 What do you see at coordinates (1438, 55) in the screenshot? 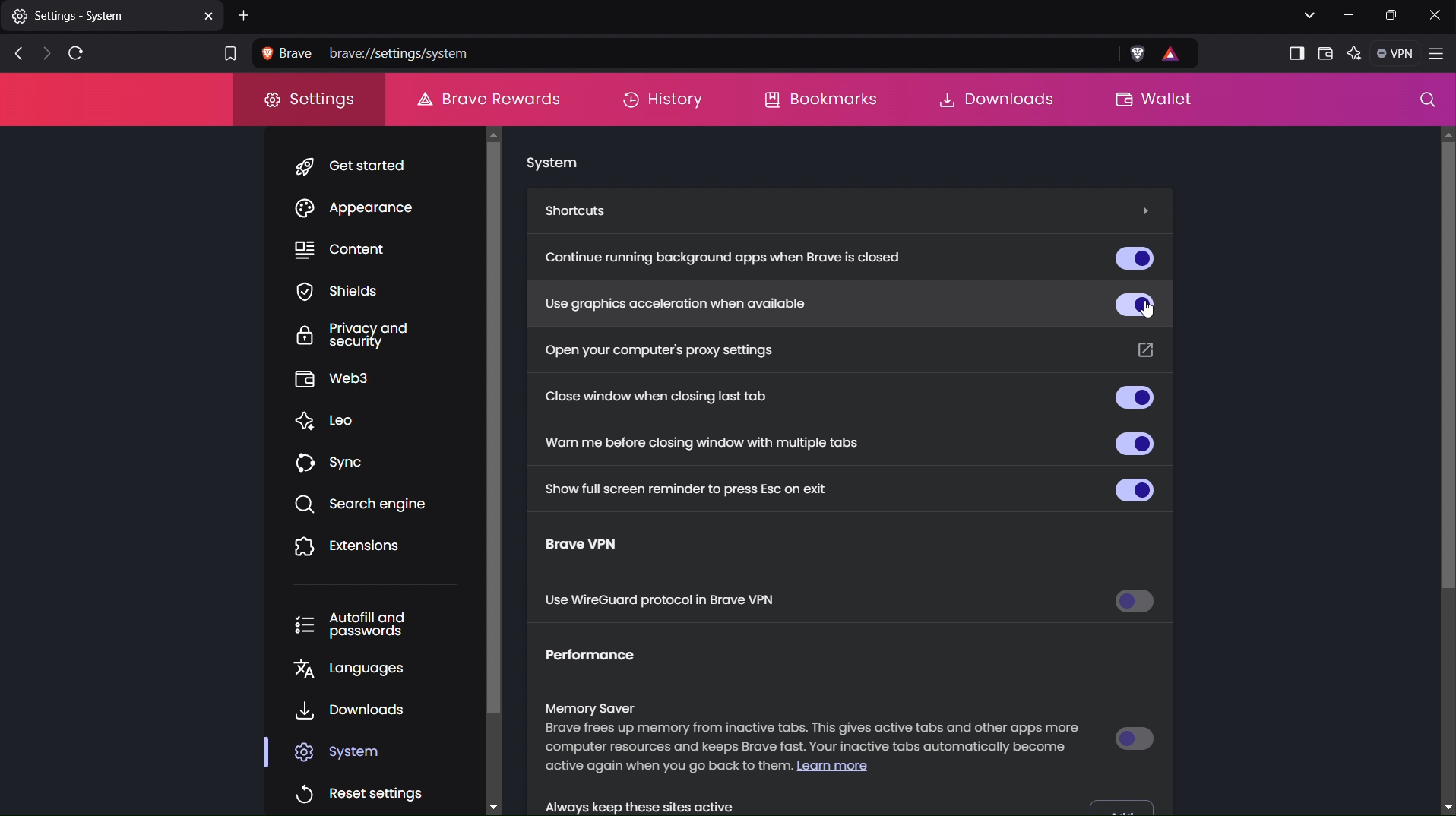
I see `Application Menu` at bounding box center [1438, 55].